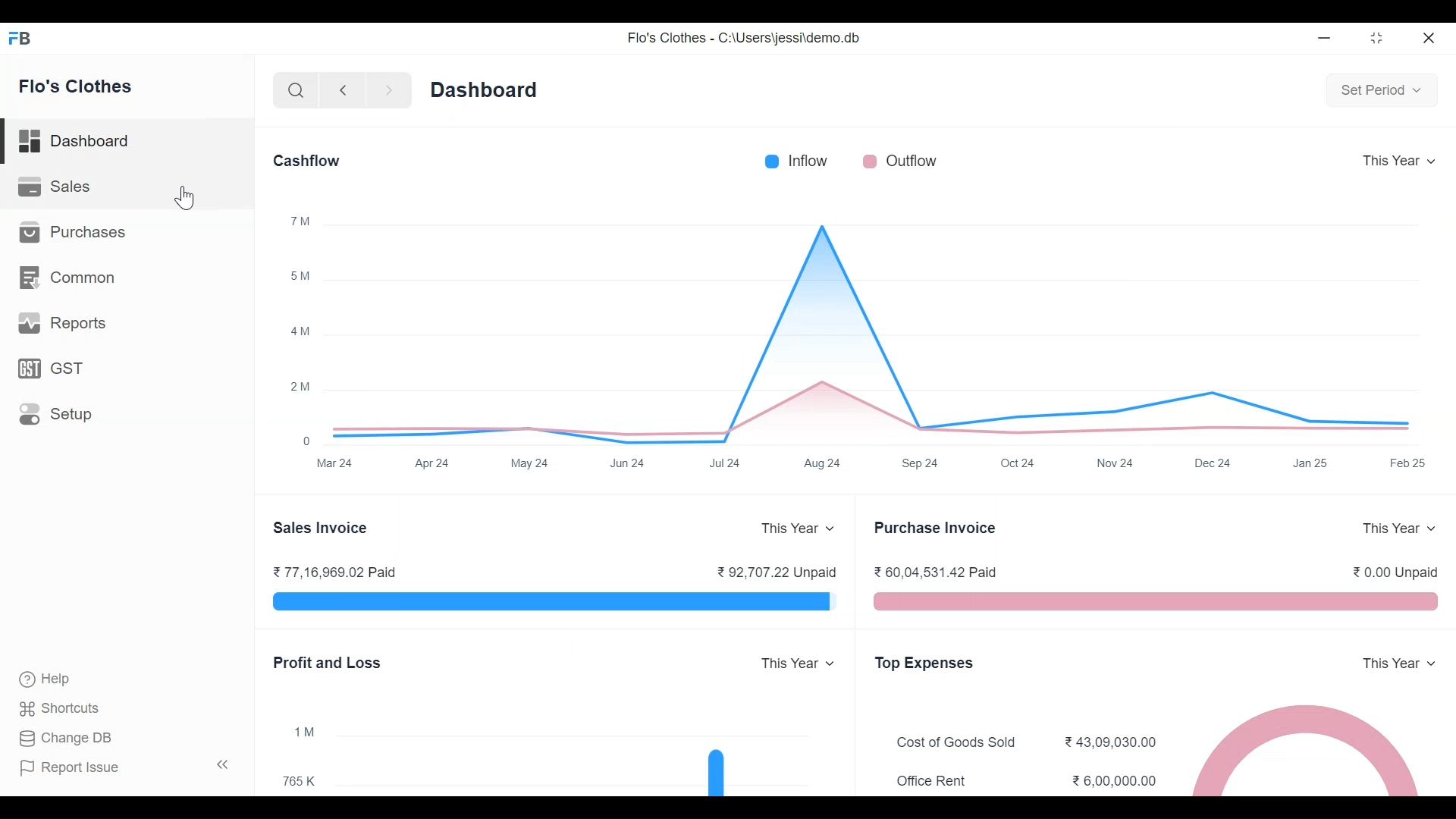 This screenshot has height=819, width=1456. Describe the element at coordinates (184, 196) in the screenshot. I see `Cursor` at that location.